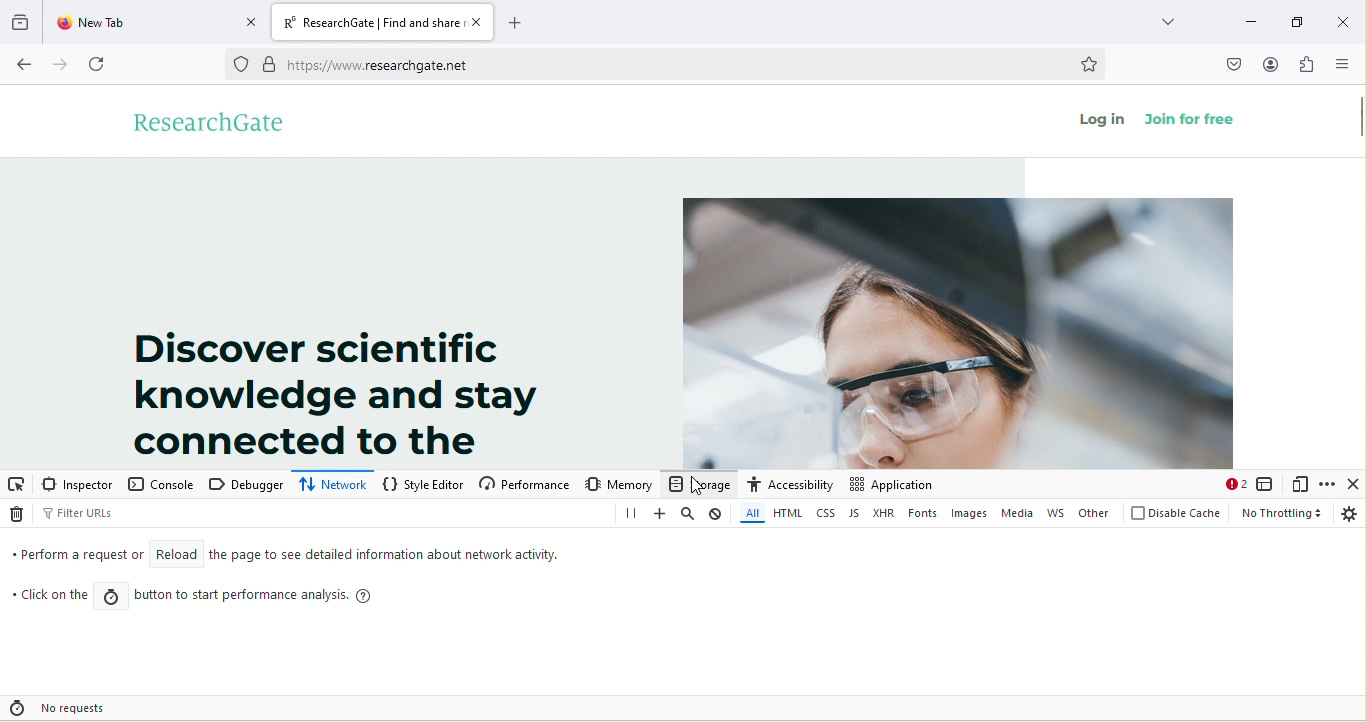 Image resolution: width=1366 pixels, height=722 pixels. Describe the element at coordinates (1167, 24) in the screenshot. I see `search tab` at that location.